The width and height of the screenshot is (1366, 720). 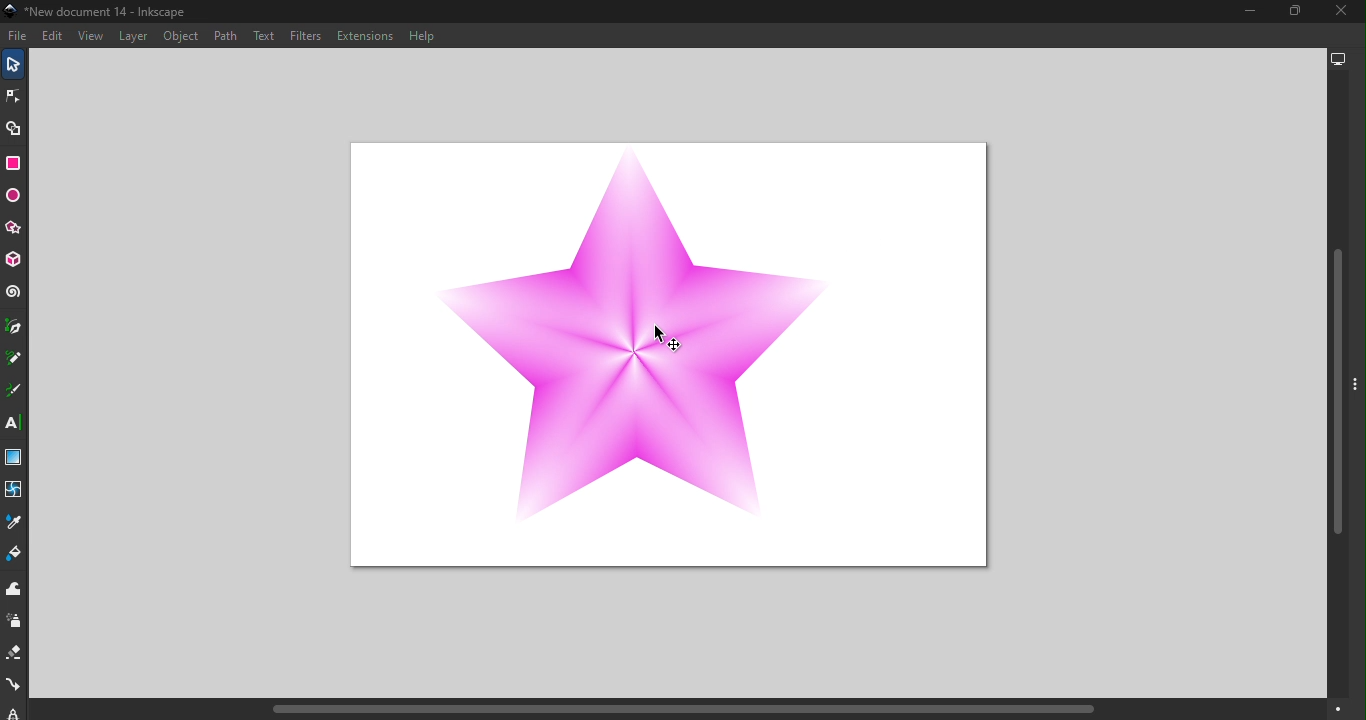 What do you see at coordinates (1245, 14) in the screenshot?
I see `Minimize` at bounding box center [1245, 14].